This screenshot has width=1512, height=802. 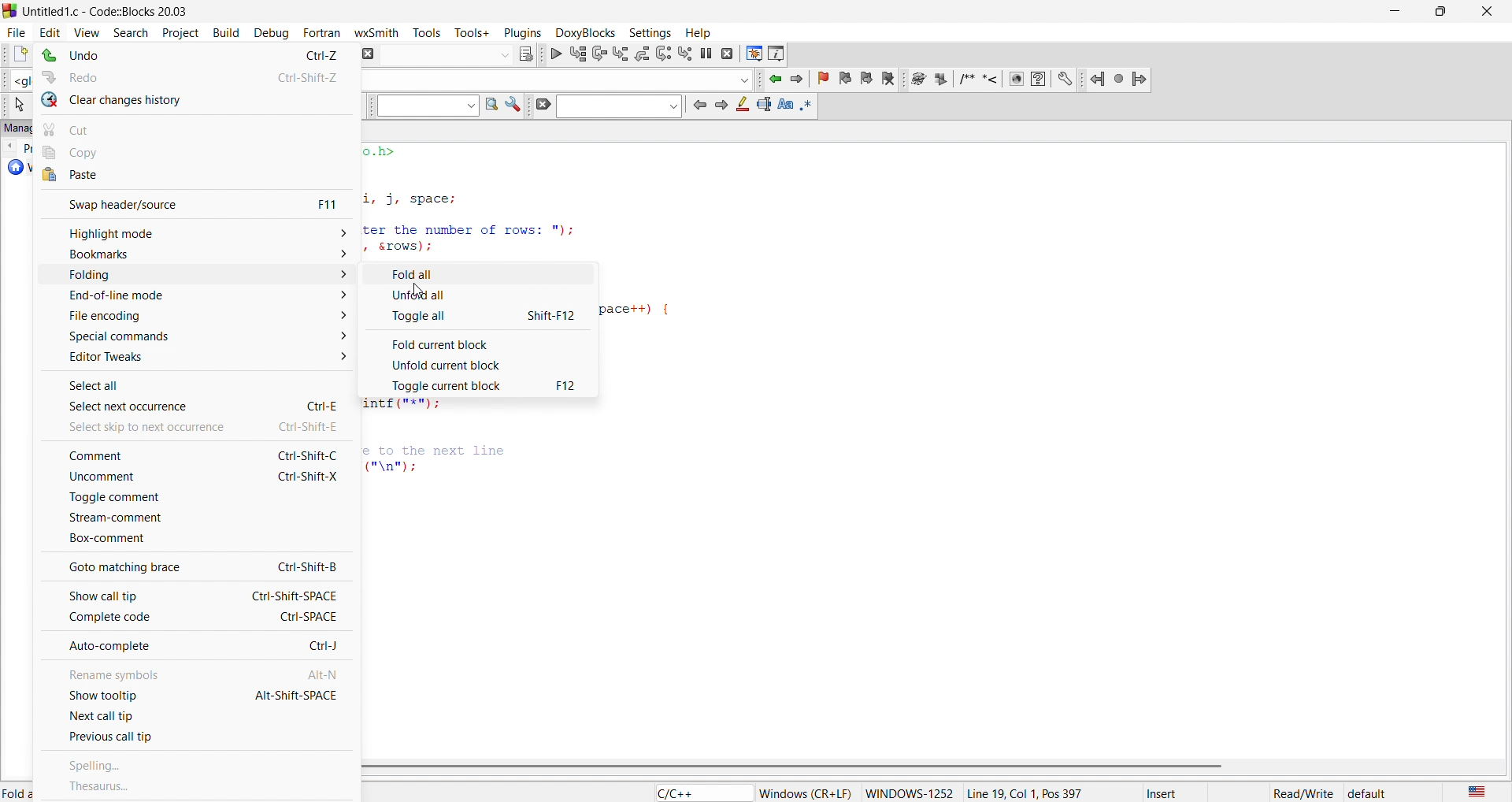 I want to click on file encoding, so click(x=192, y=317).